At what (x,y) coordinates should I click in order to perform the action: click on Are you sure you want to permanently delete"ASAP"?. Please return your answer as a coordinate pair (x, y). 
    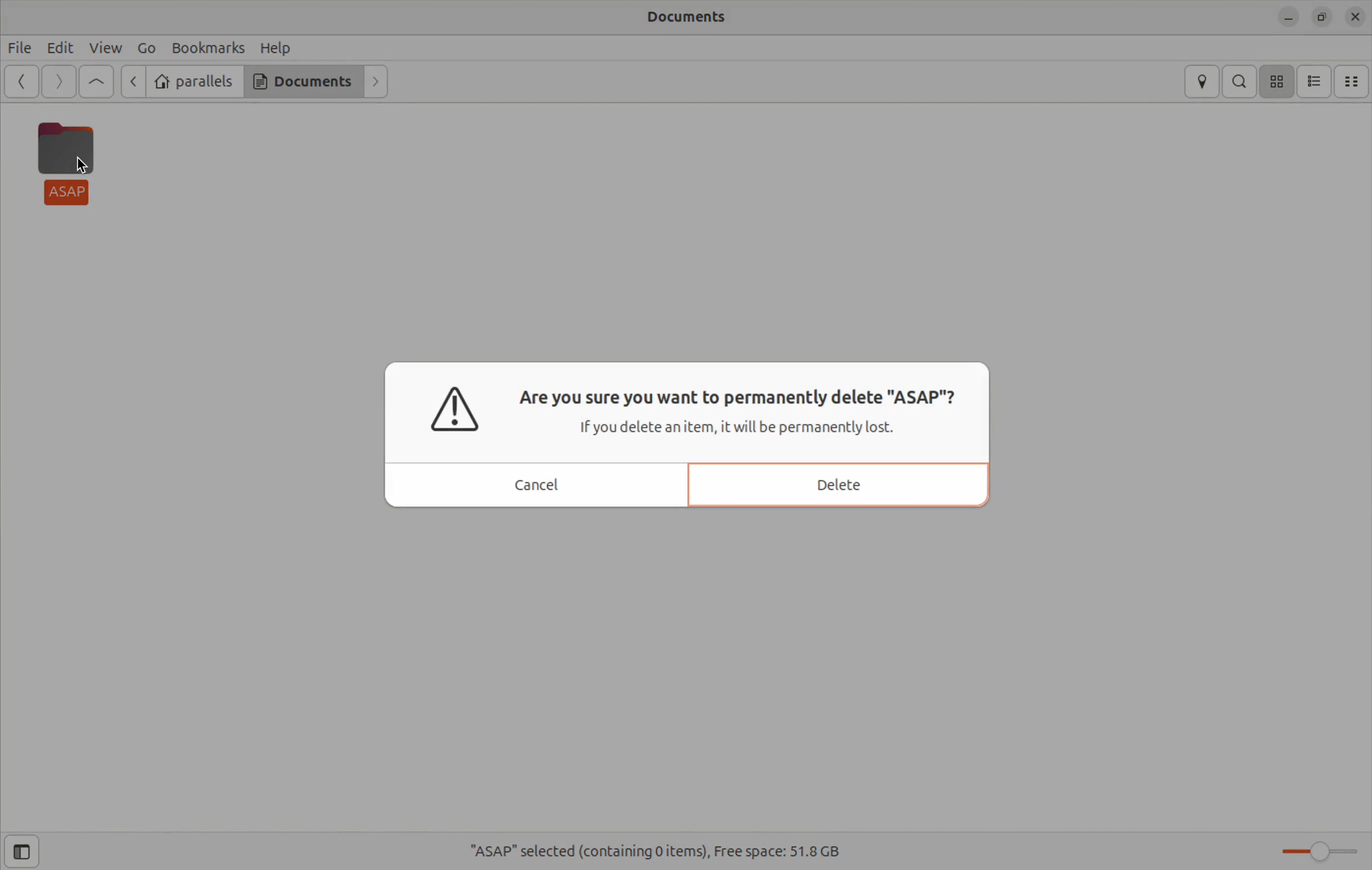
    Looking at the image, I should click on (738, 397).